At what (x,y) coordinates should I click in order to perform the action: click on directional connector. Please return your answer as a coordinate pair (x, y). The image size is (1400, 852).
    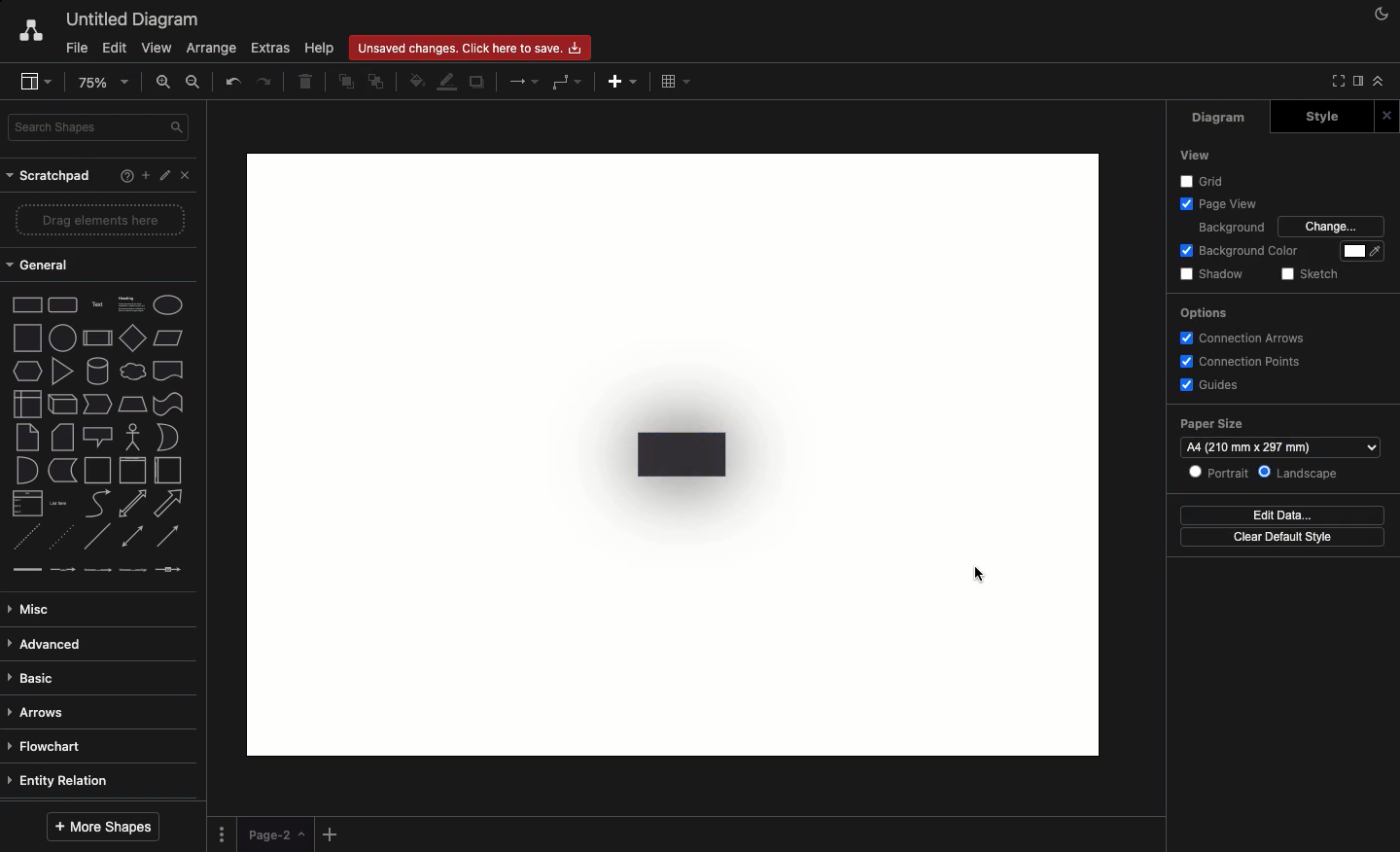
    Looking at the image, I should click on (168, 535).